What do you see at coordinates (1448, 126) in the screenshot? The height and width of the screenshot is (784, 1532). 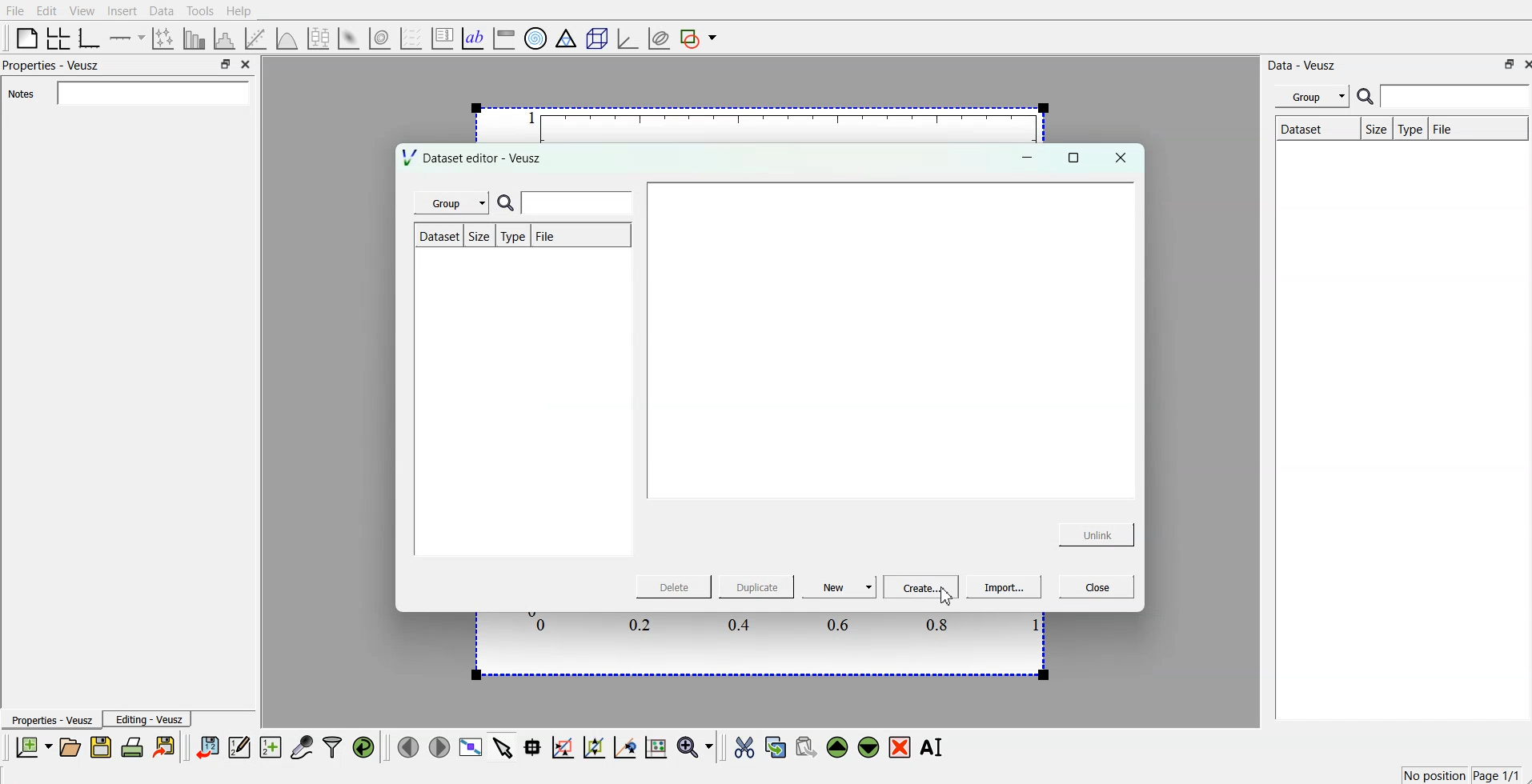 I see `File` at bounding box center [1448, 126].